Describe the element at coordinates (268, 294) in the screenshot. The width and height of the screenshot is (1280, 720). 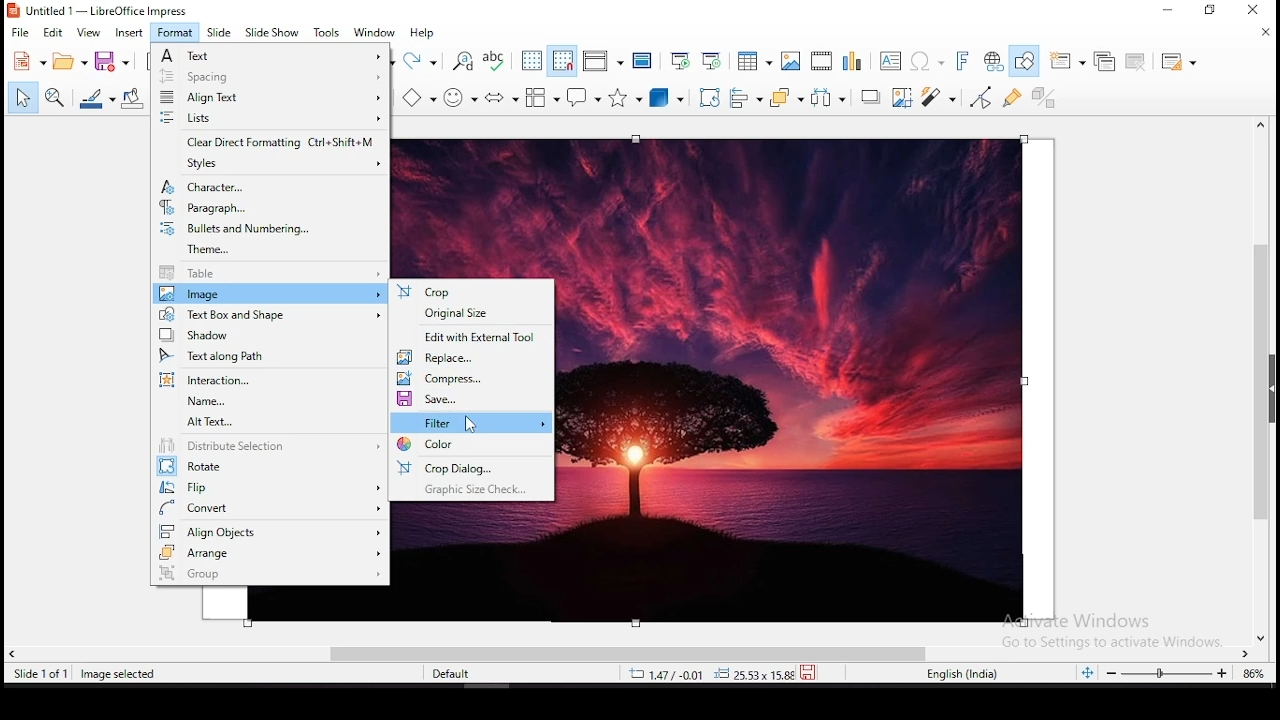
I see `image` at that location.